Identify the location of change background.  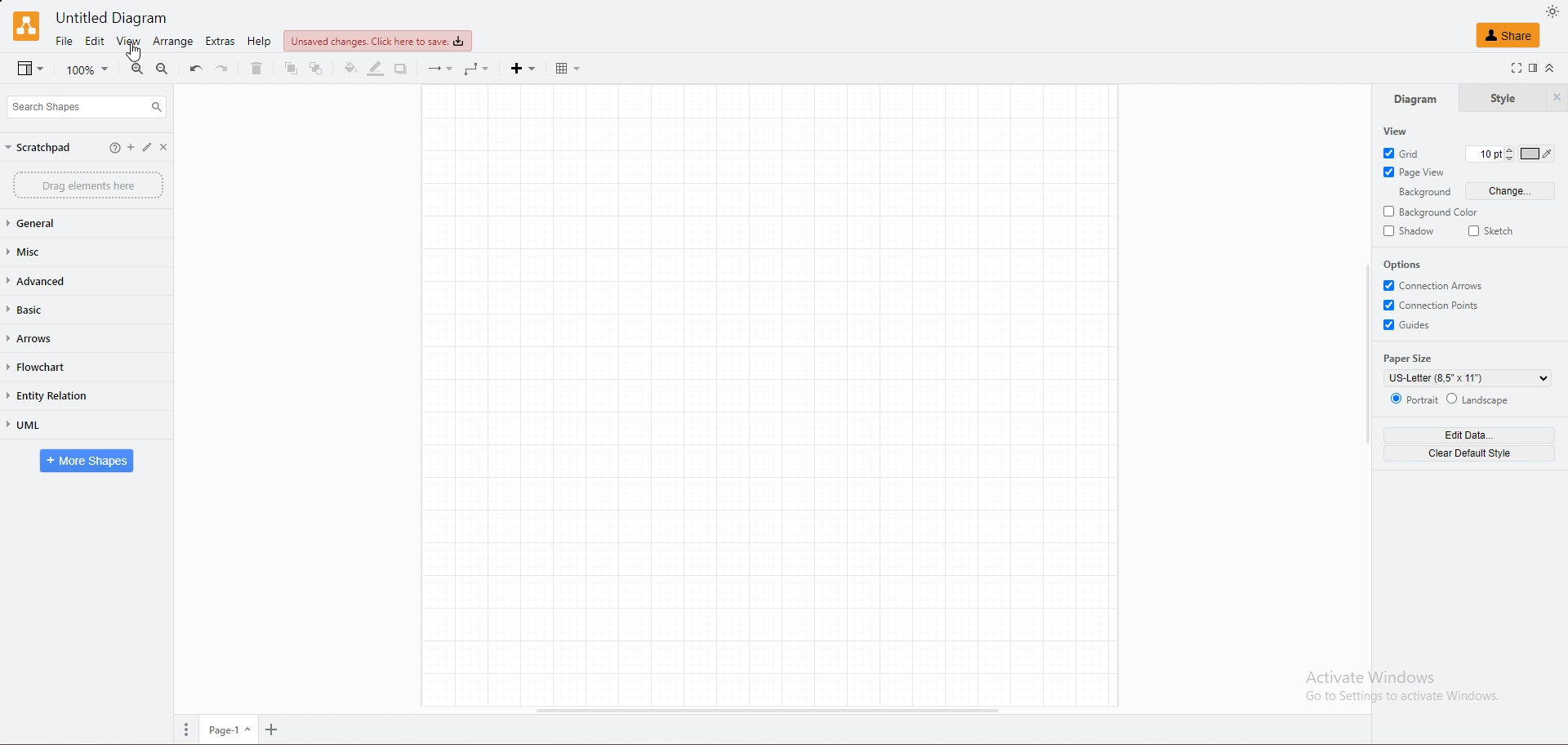
(1511, 191).